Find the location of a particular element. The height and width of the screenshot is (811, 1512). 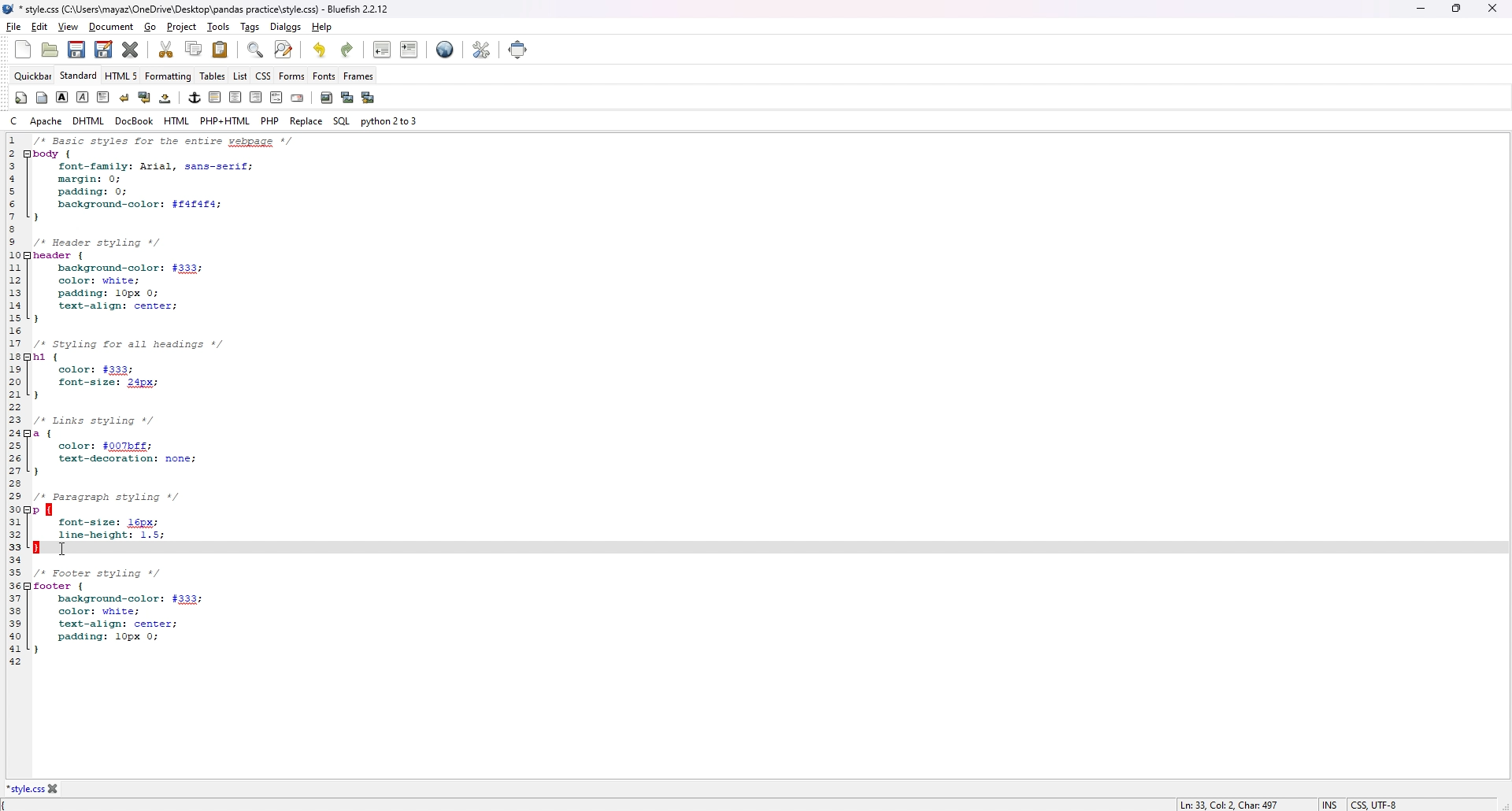

forms is located at coordinates (293, 76).